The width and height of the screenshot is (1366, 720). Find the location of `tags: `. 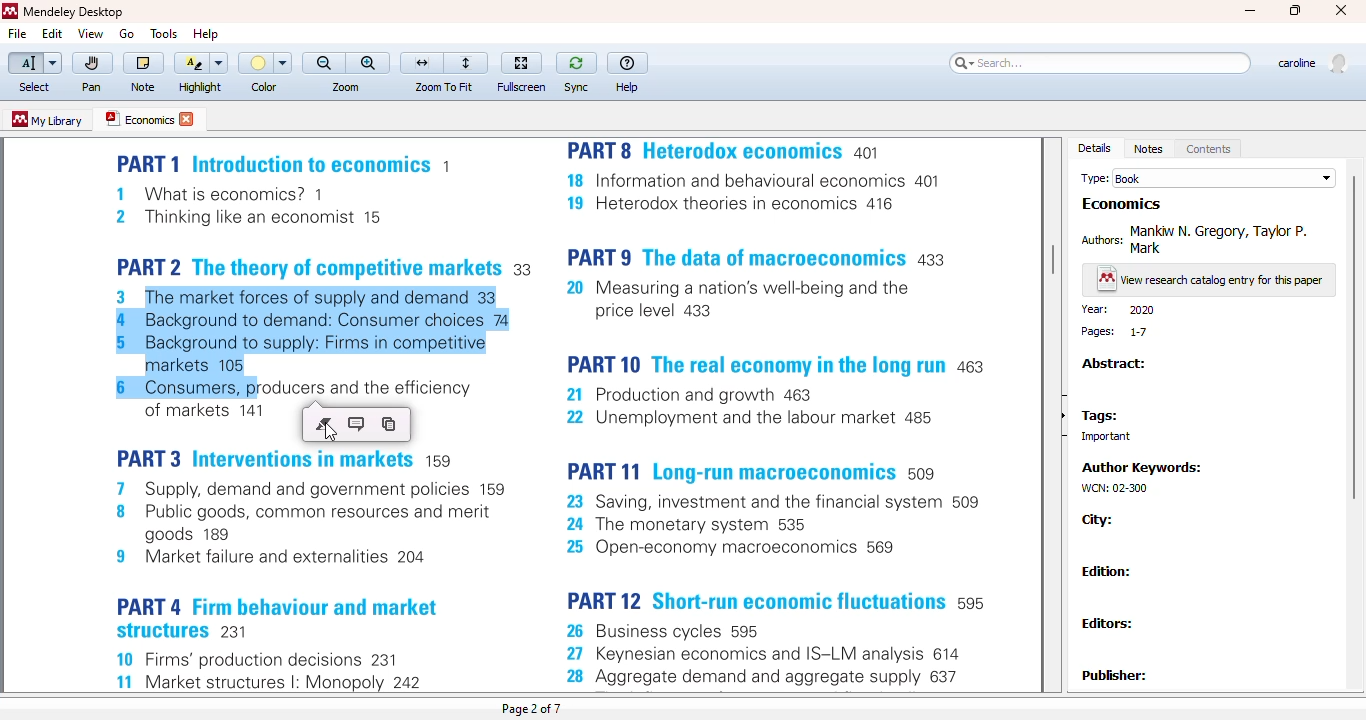

tags:  is located at coordinates (1099, 417).